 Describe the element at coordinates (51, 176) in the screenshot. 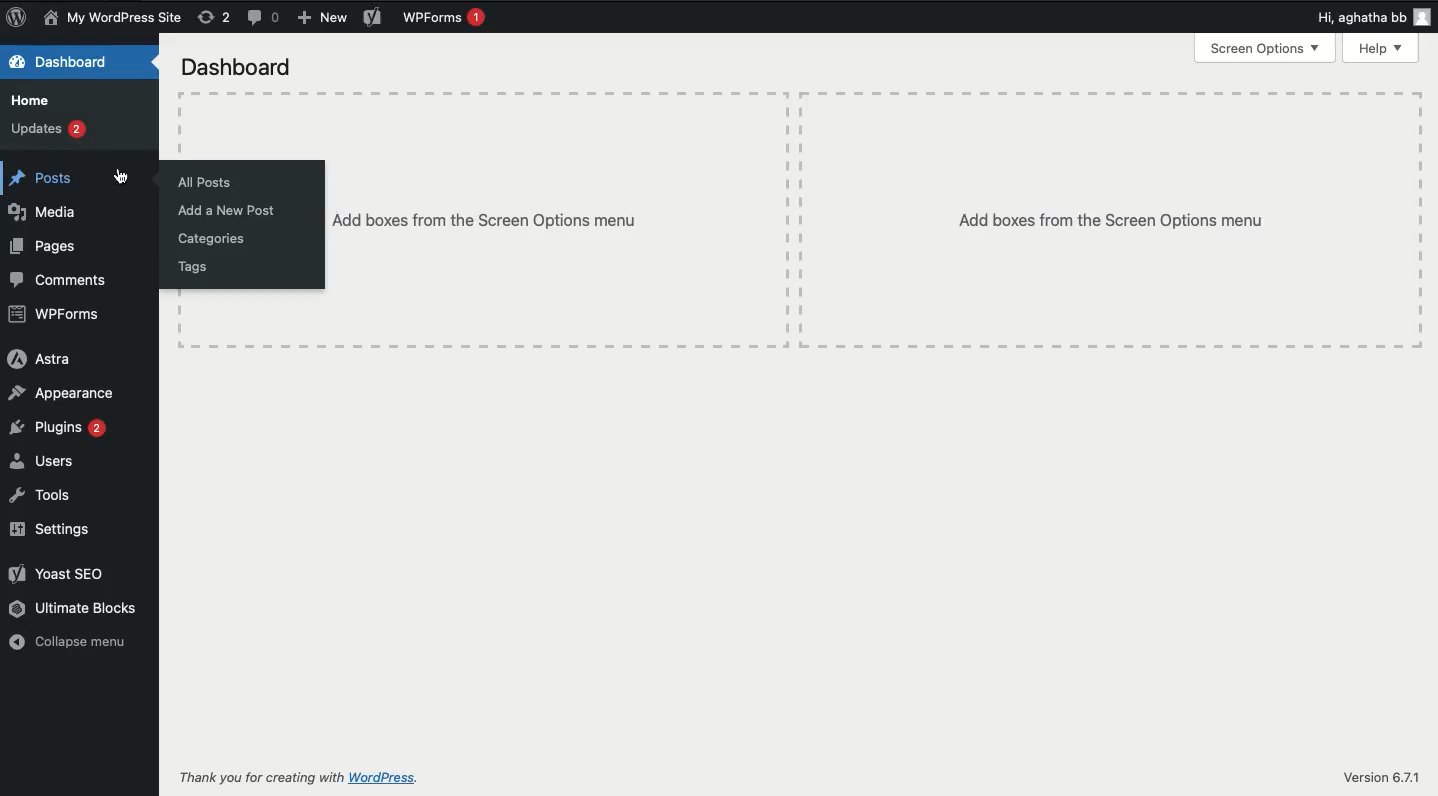

I see `Posts` at that location.